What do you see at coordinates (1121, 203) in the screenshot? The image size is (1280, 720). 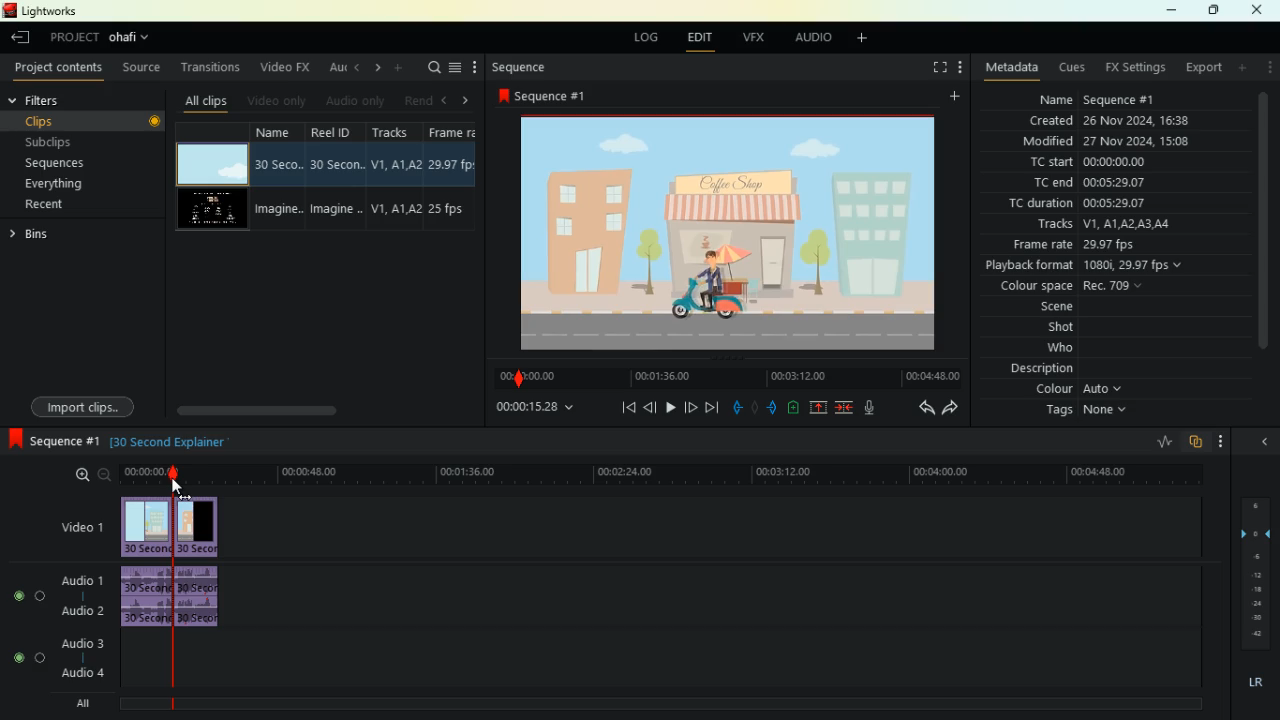 I see `00:05:29.07` at bounding box center [1121, 203].